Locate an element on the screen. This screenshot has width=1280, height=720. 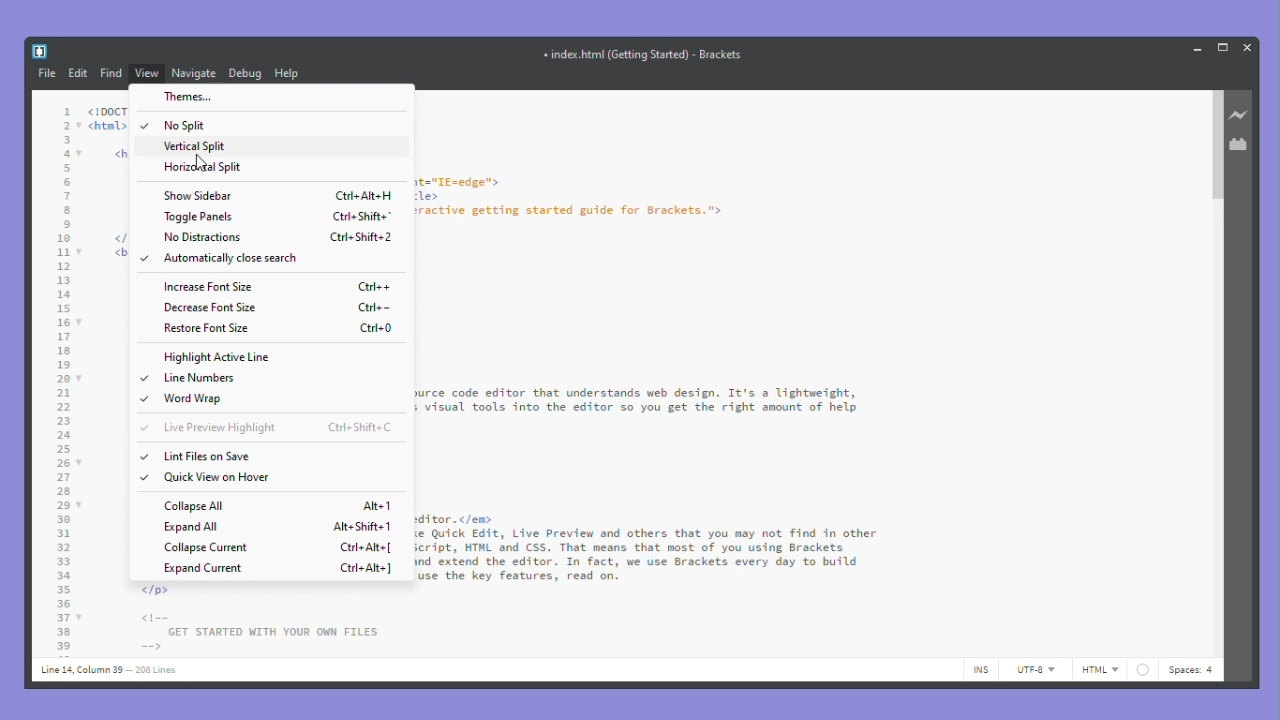
quick view on hover is located at coordinates (219, 479).